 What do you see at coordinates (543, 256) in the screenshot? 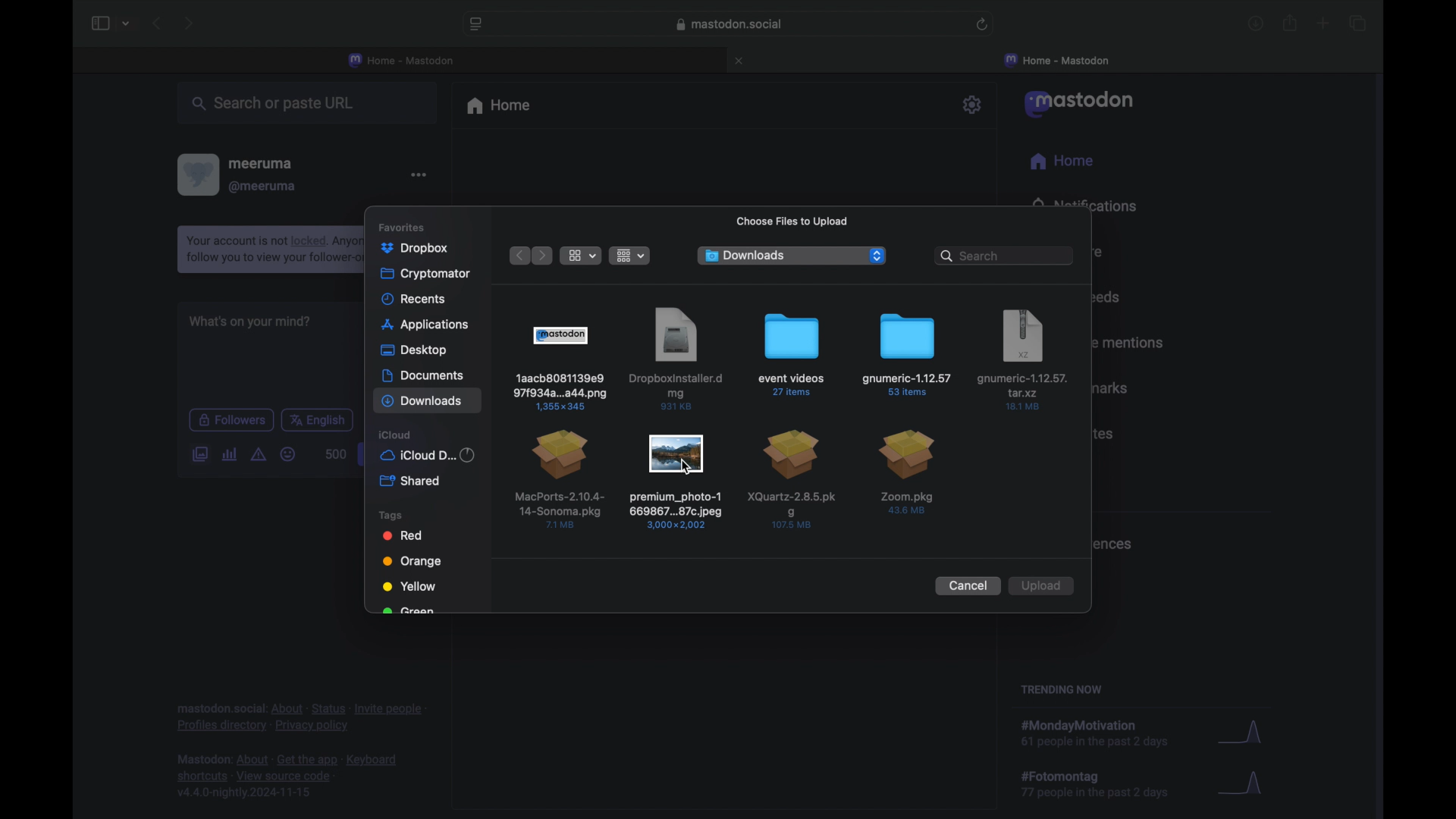
I see `next` at bounding box center [543, 256].